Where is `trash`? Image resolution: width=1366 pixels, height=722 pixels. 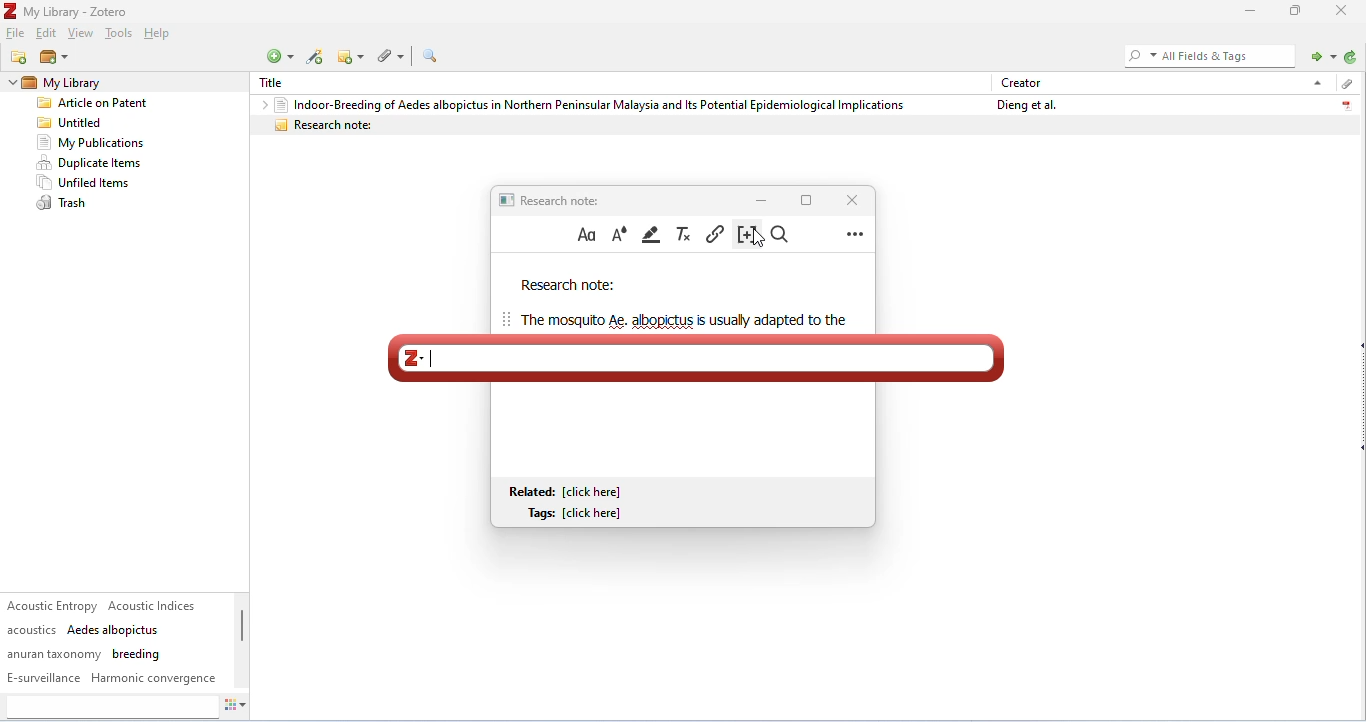 trash is located at coordinates (65, 204).